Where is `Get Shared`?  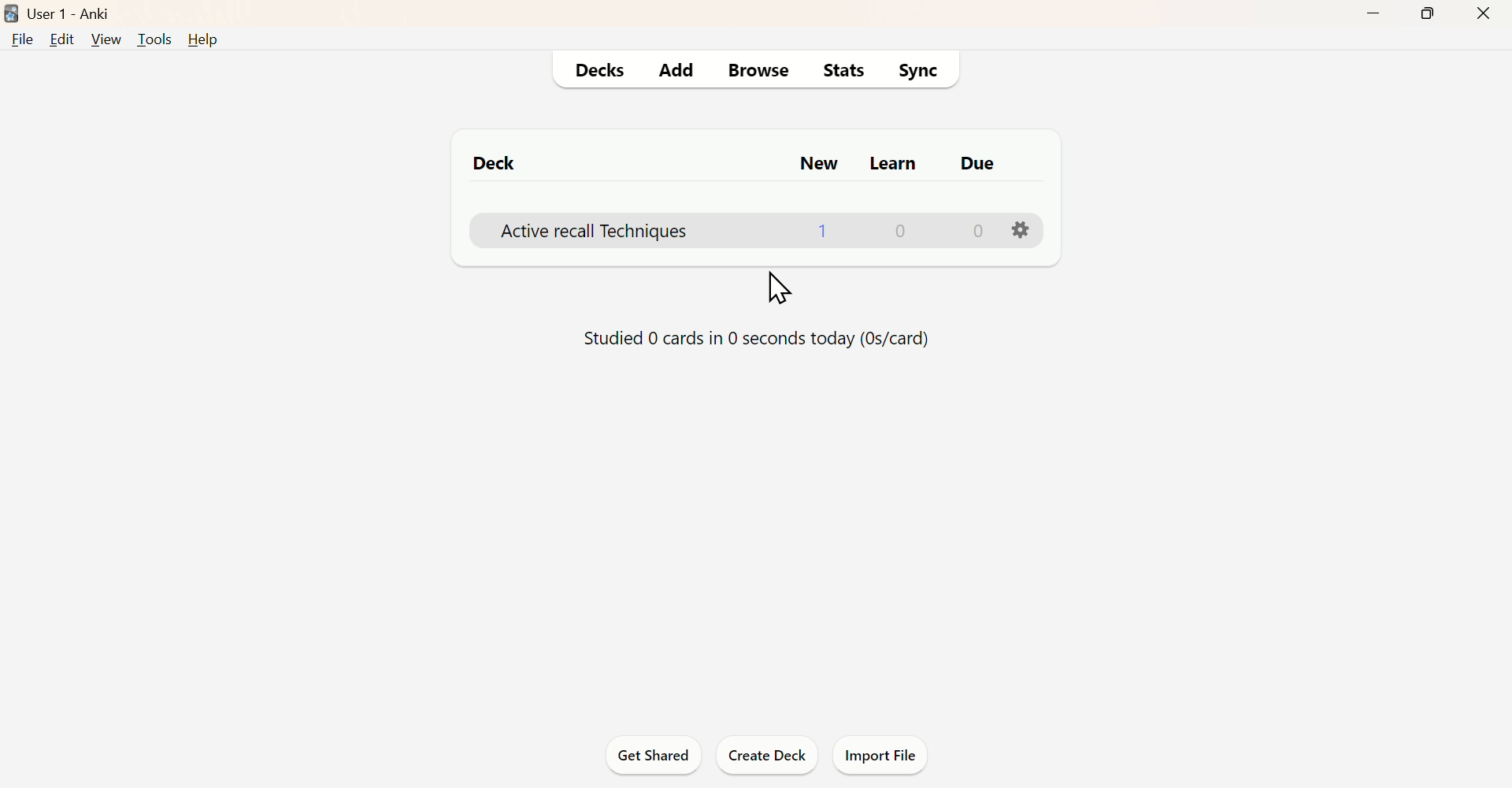 Get Shared is located at coordinates (648, 754).